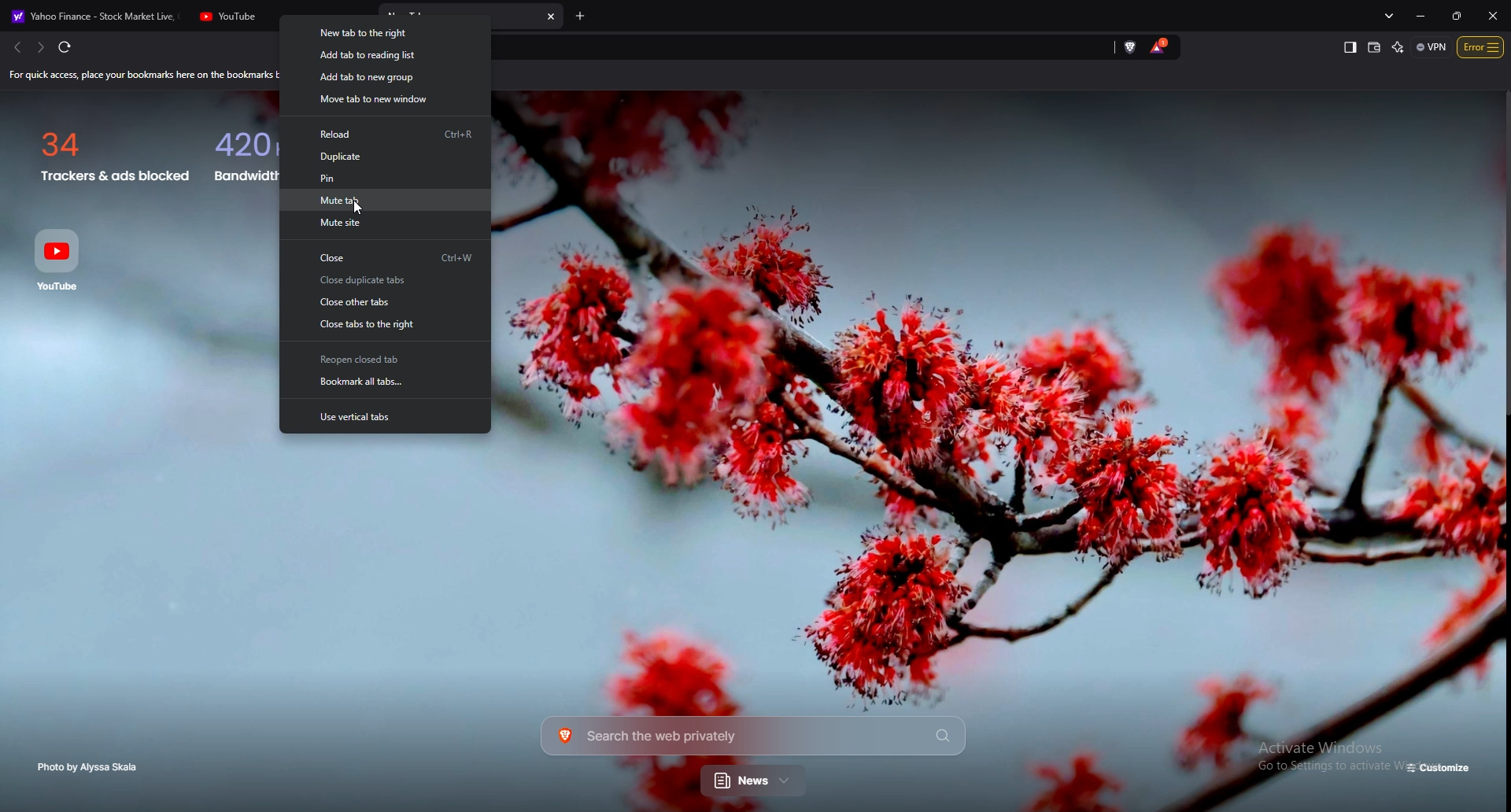  I want to click on vpn, so click(1432, 46).